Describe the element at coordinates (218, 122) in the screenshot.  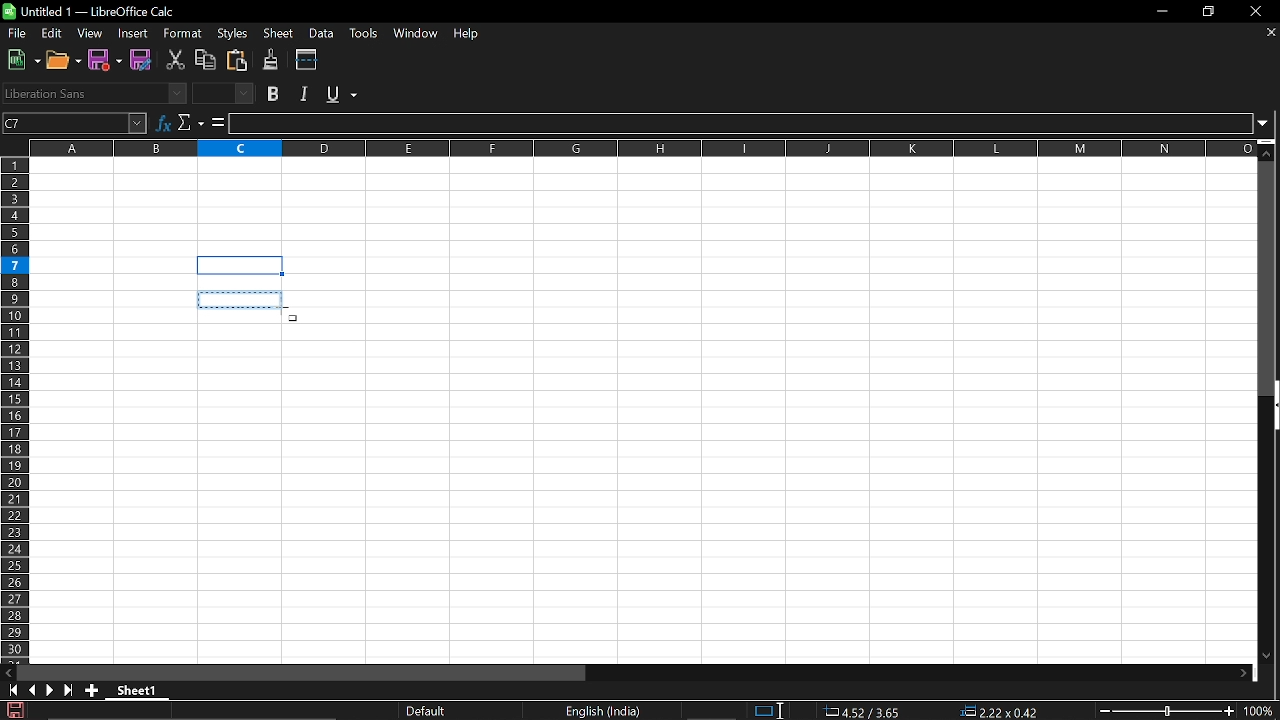
I see `Formula` at that location.